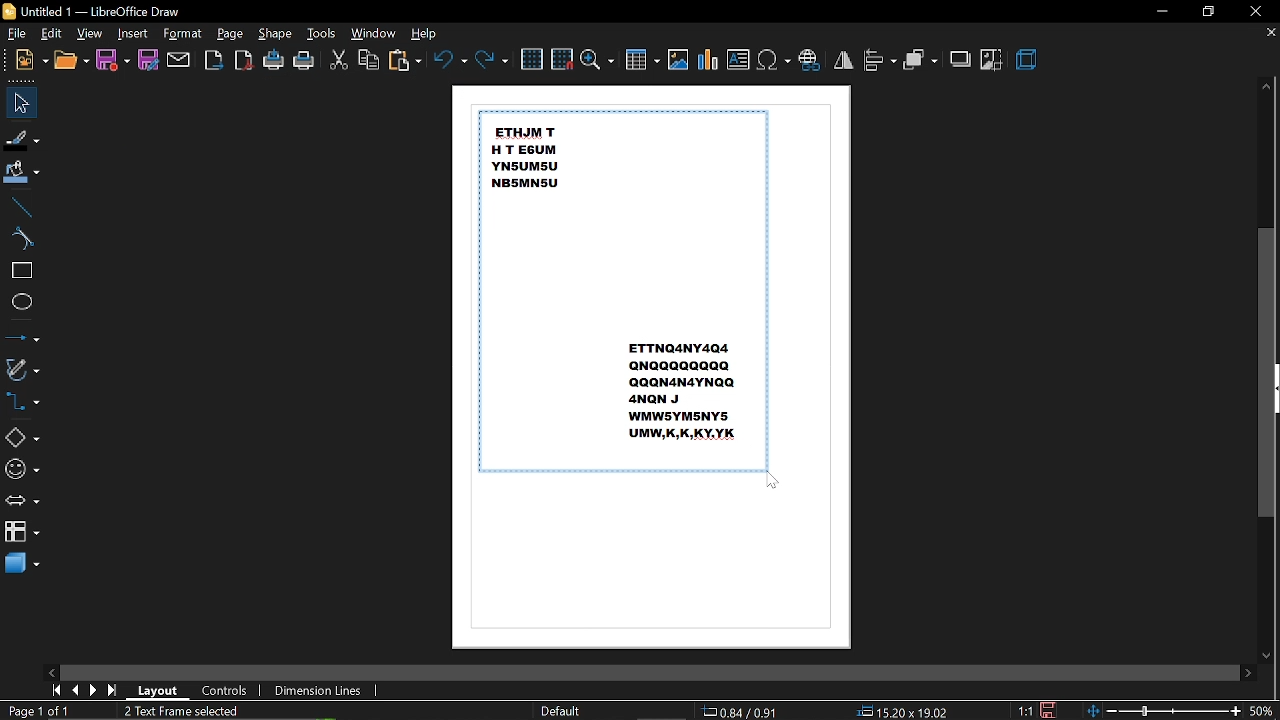 This screenshot has width=1280, height=720. Describe the element at coordinates (562, 58) in the screenshot. I see `snap to grid` at that location.